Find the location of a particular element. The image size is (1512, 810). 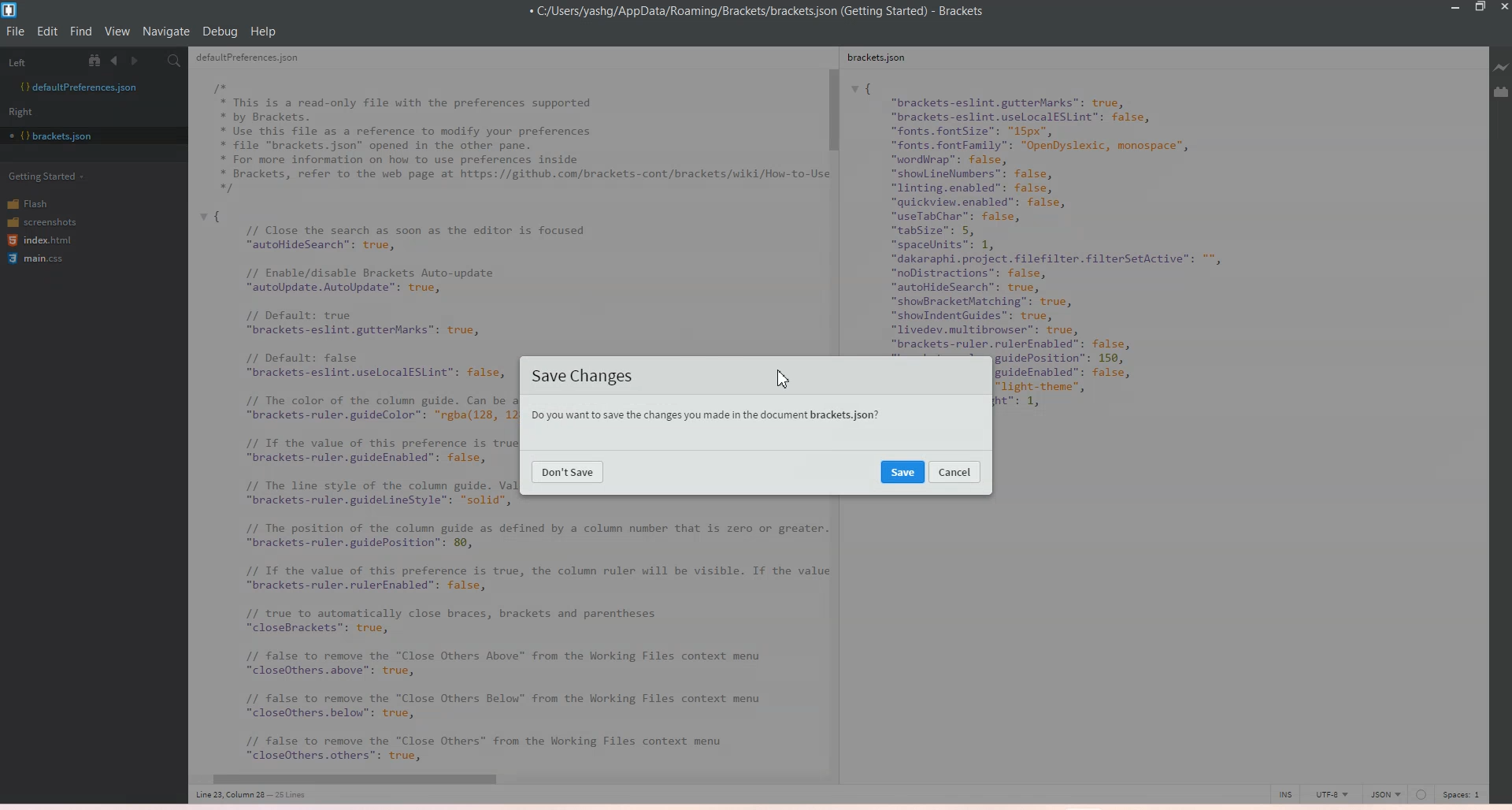

Navigate Backwards is located at coordinates (117, 61).